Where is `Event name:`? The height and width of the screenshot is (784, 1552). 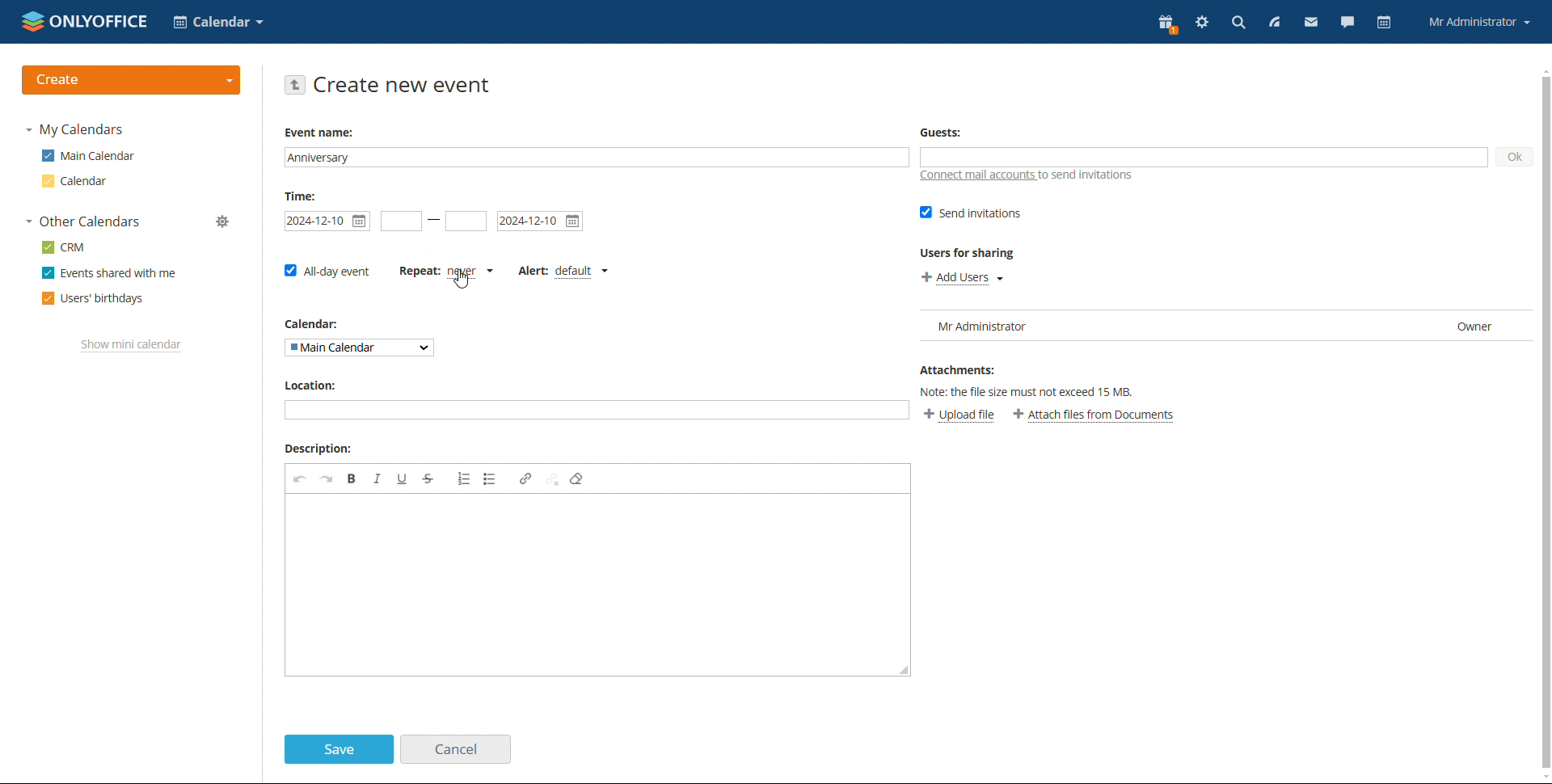 Event name: is located at coordinates (317, 132).